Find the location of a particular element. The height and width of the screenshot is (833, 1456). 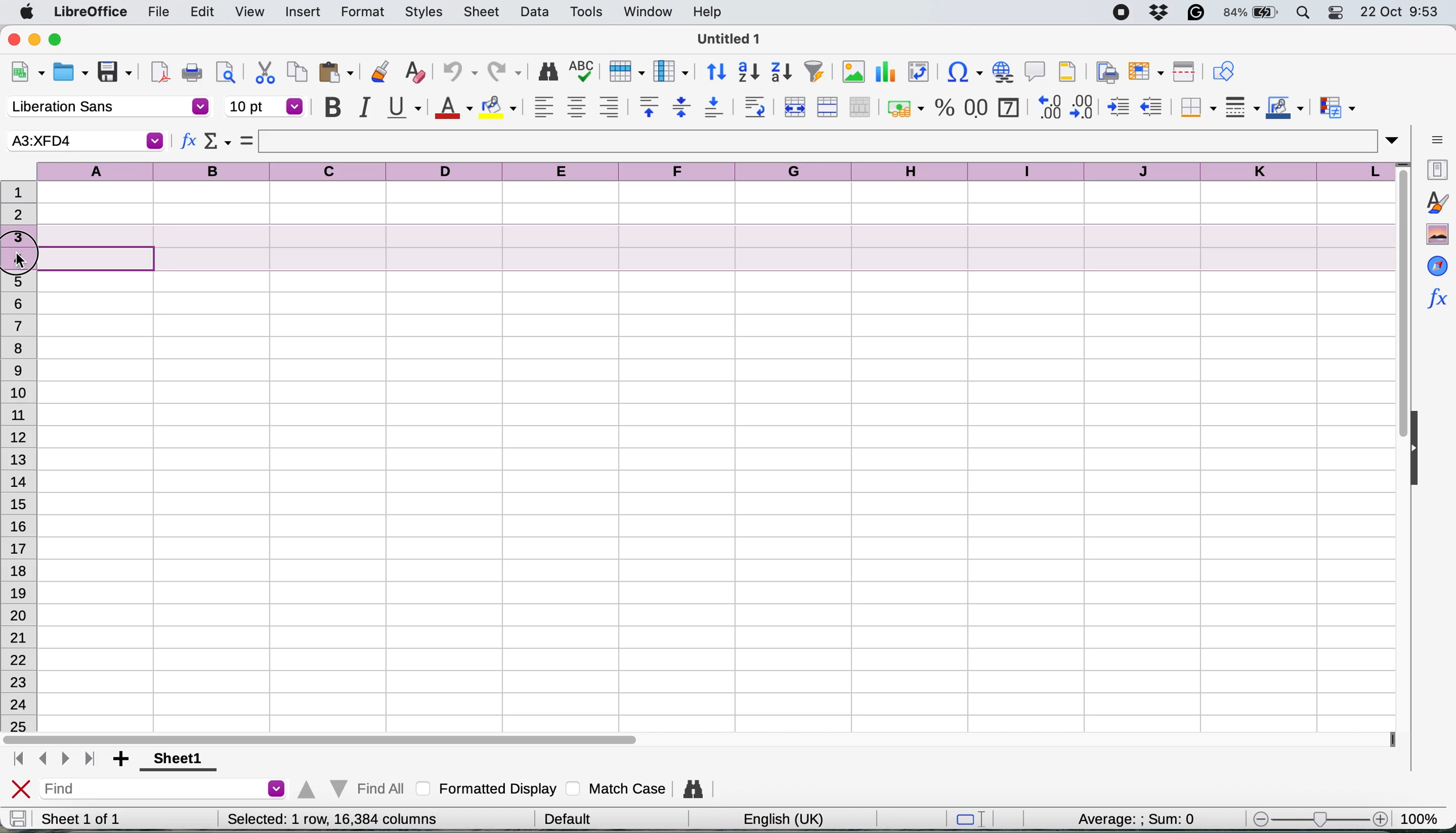

merge is located at coordinates (826, 108).